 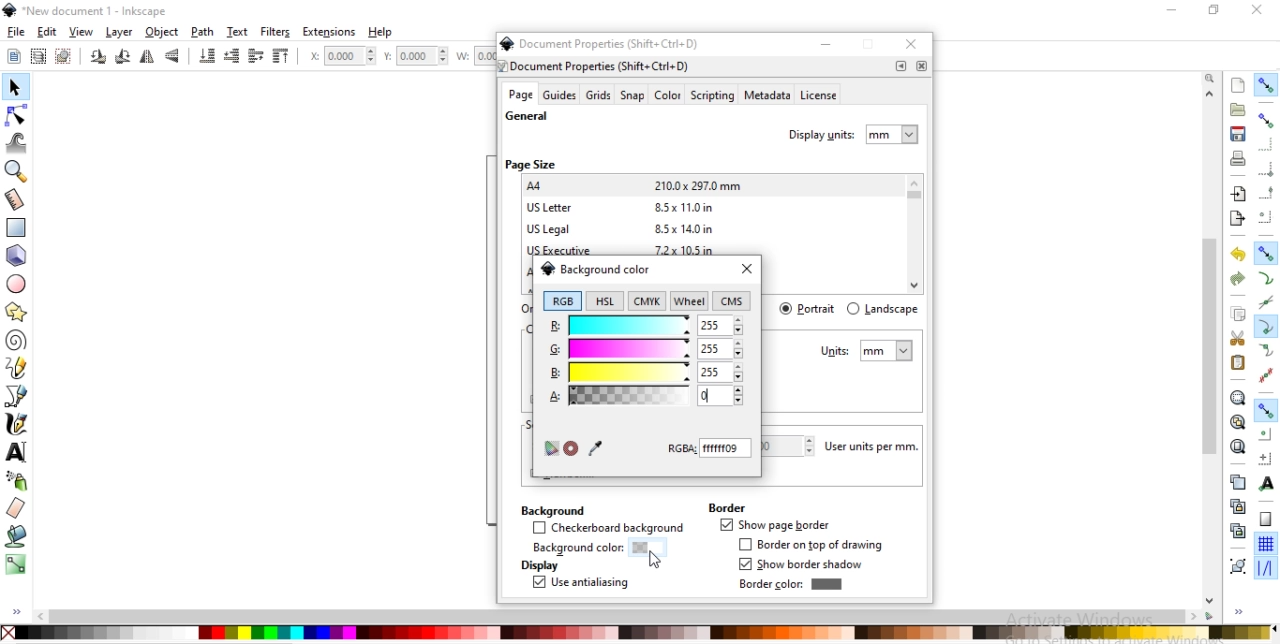 I want to click on age, so click(x=520, y=95).